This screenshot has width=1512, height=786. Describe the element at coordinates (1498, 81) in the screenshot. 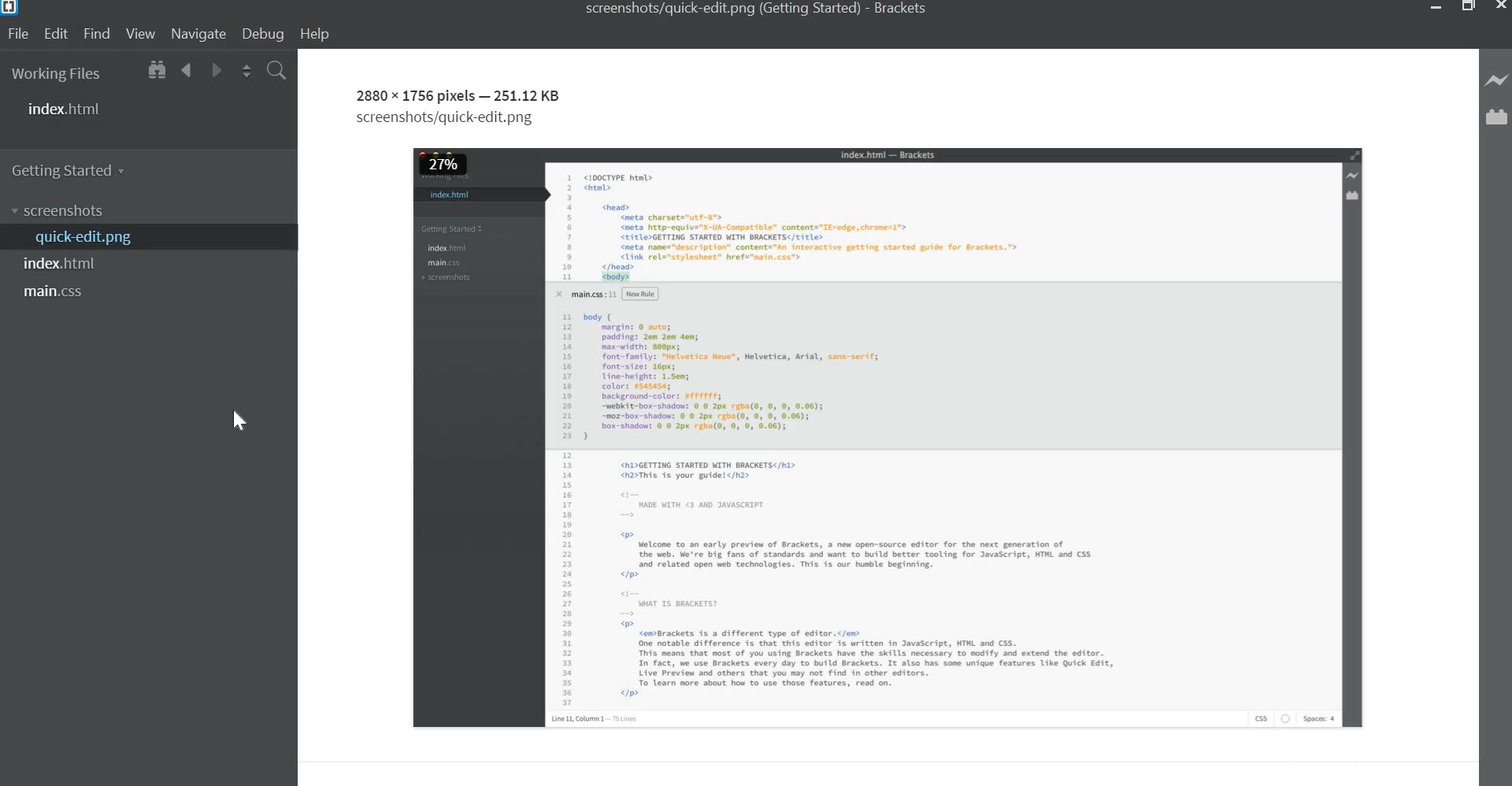

I see `Line Preview` at that location.